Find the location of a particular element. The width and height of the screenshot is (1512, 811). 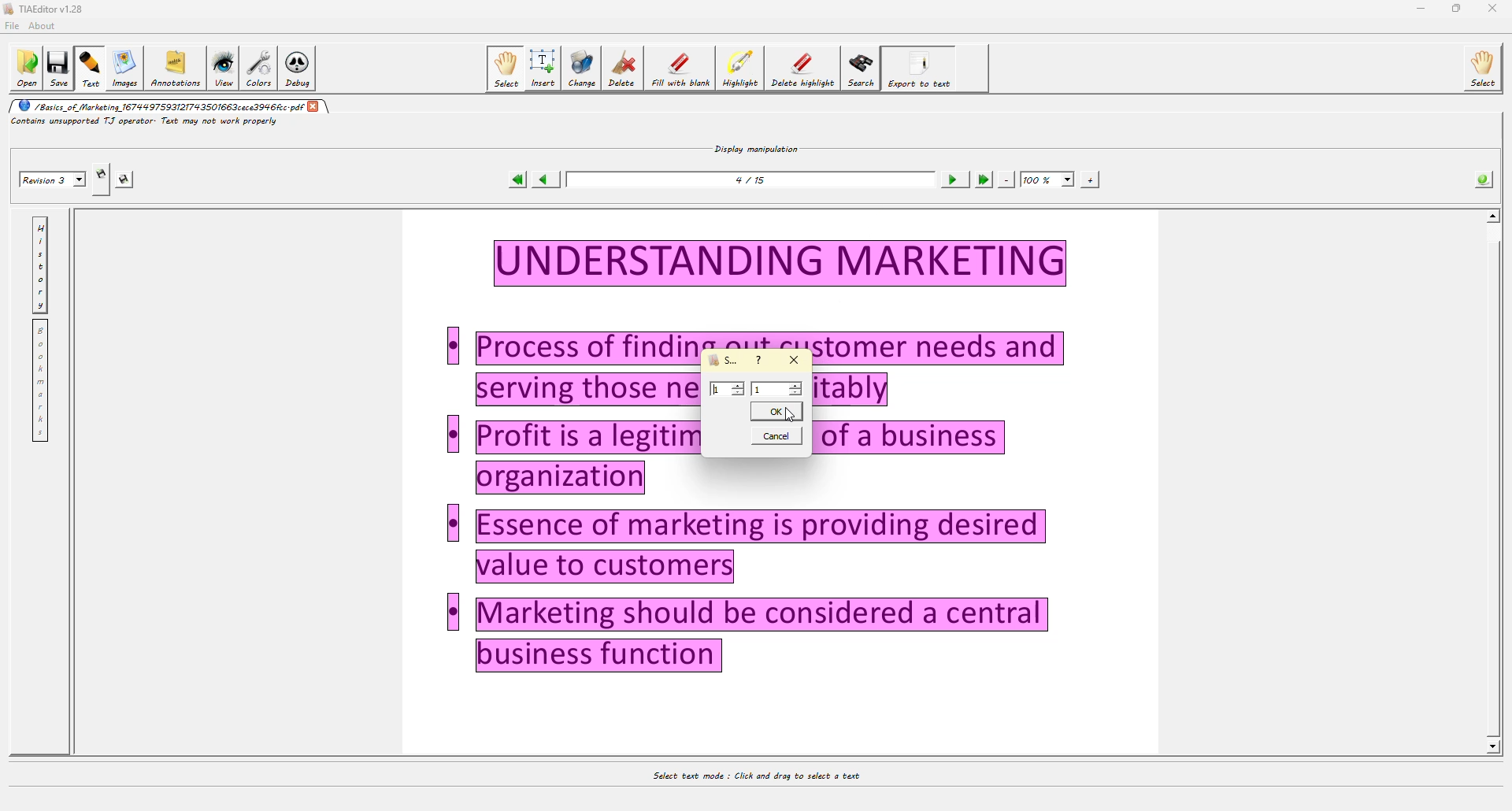

? is located at coordinates (761, 361).